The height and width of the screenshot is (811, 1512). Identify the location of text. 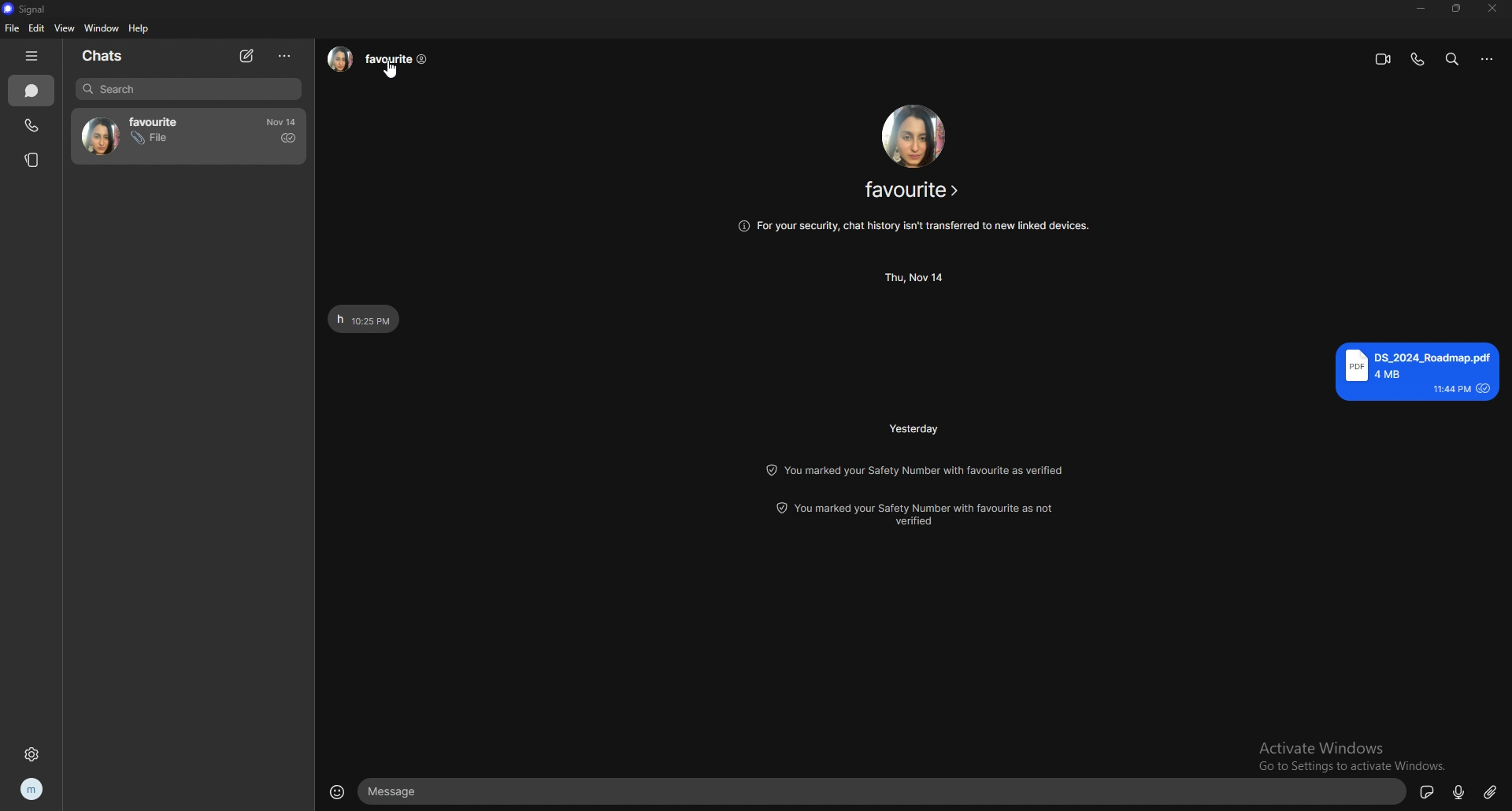
(1416, 372).